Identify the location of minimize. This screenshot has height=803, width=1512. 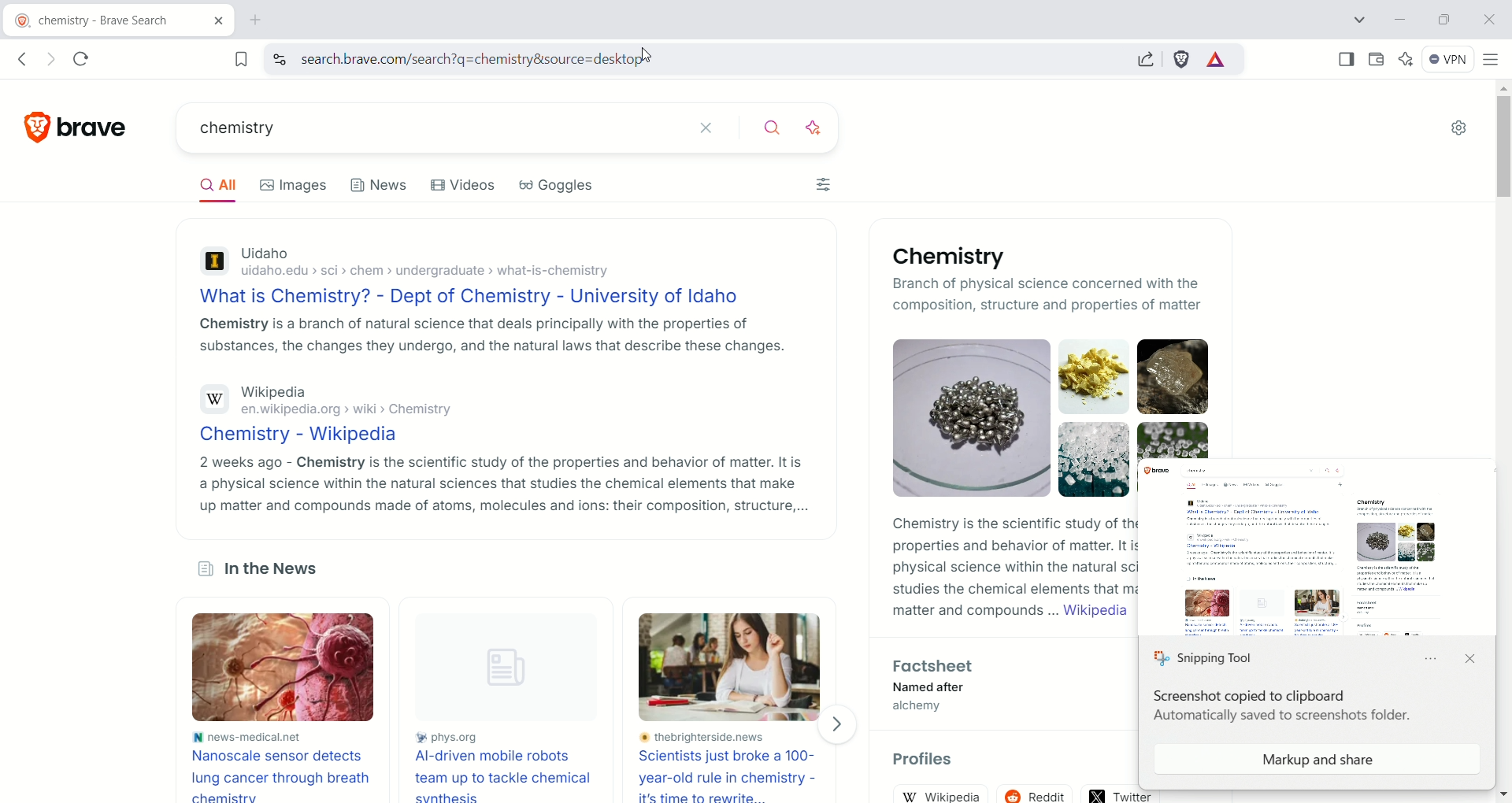
(1400, 20).